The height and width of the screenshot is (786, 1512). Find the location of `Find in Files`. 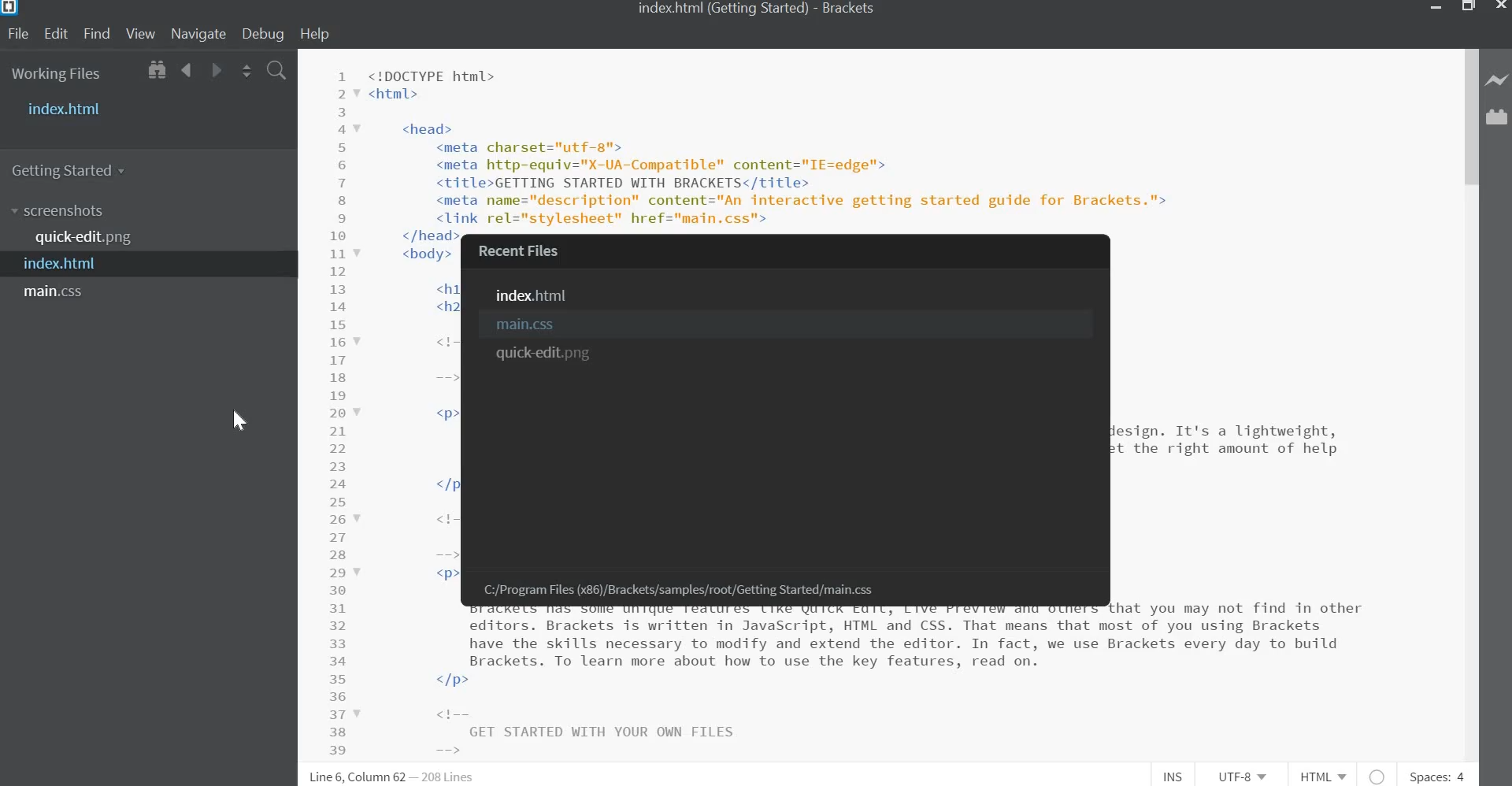

Find in Files is located at coordinates (276, 72).